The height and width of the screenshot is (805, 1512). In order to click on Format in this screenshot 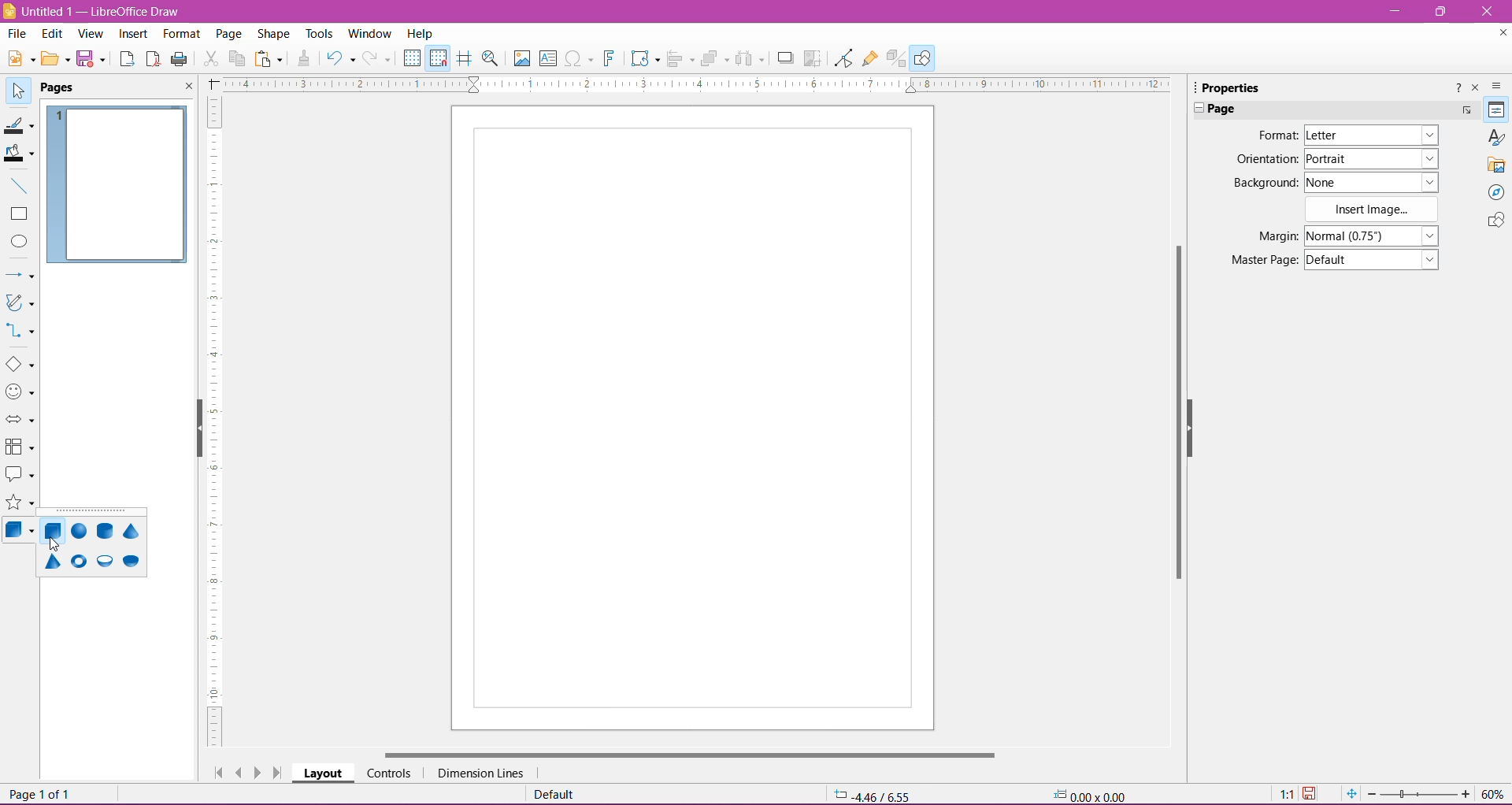, I will do `click(1276, 135)`.